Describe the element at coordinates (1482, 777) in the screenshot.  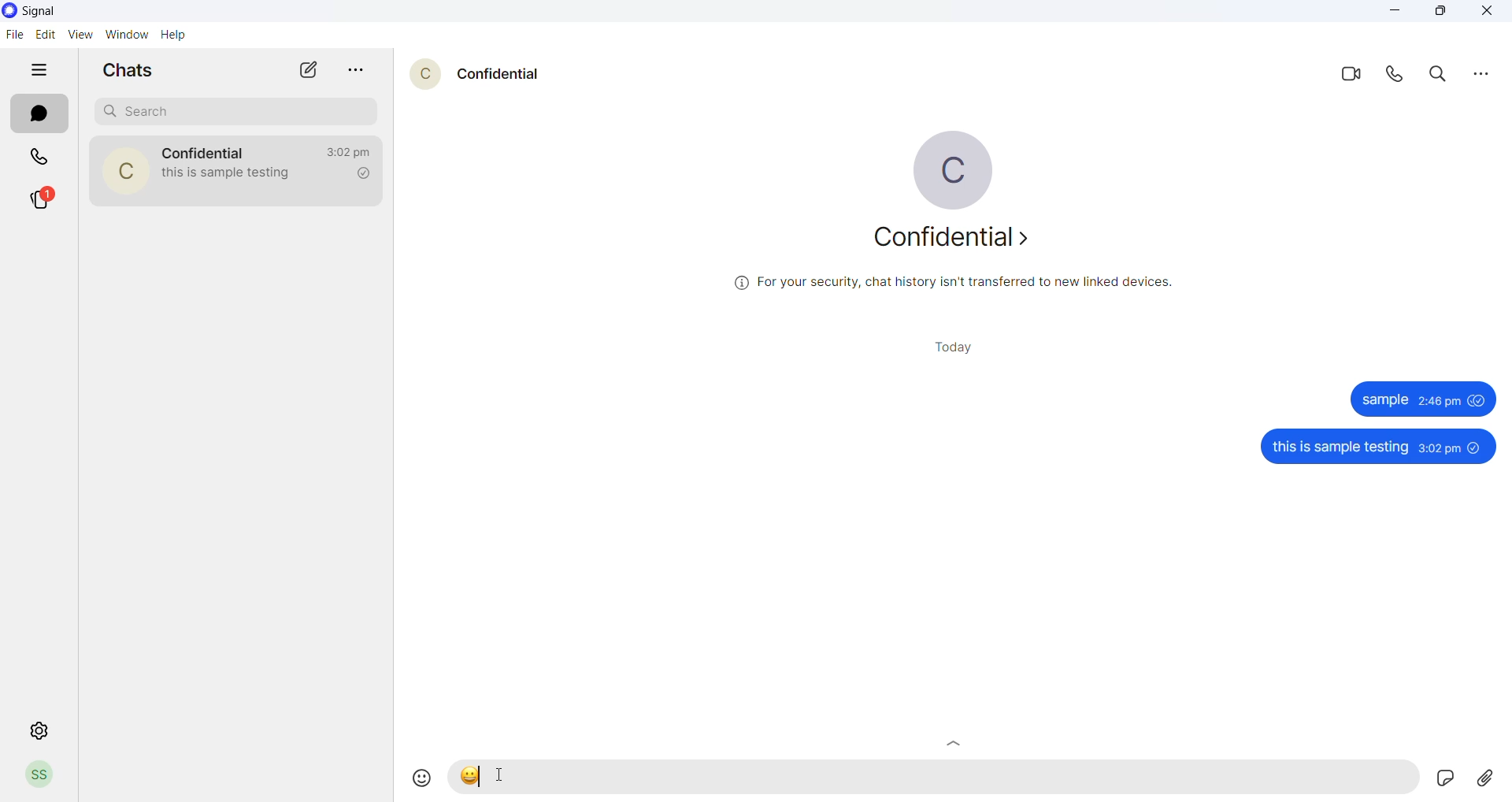
I see `share attachments` at that location.